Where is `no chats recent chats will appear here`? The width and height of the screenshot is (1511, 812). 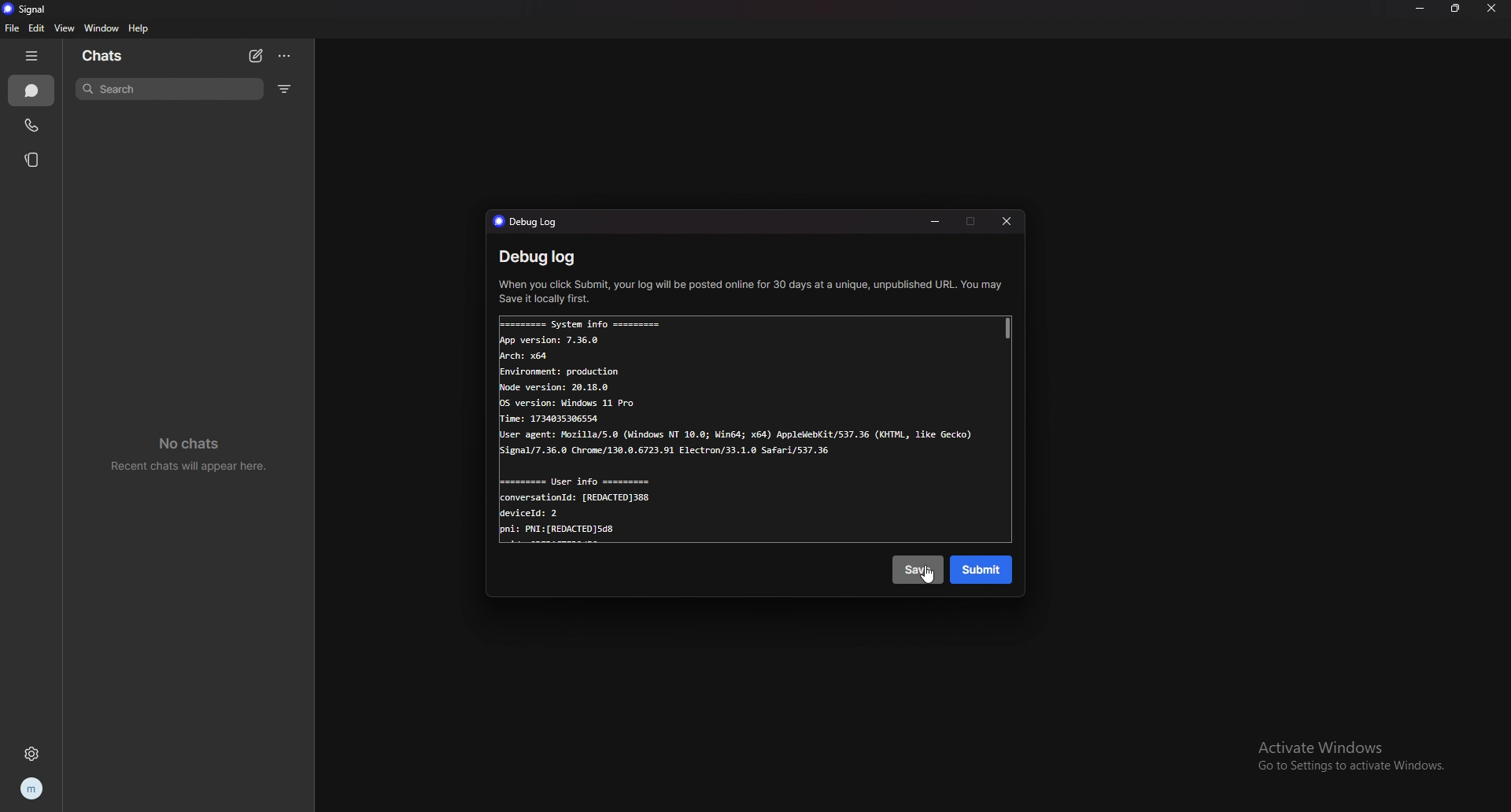 no chats recent chats will appear here is located at coordinates (194, 456).